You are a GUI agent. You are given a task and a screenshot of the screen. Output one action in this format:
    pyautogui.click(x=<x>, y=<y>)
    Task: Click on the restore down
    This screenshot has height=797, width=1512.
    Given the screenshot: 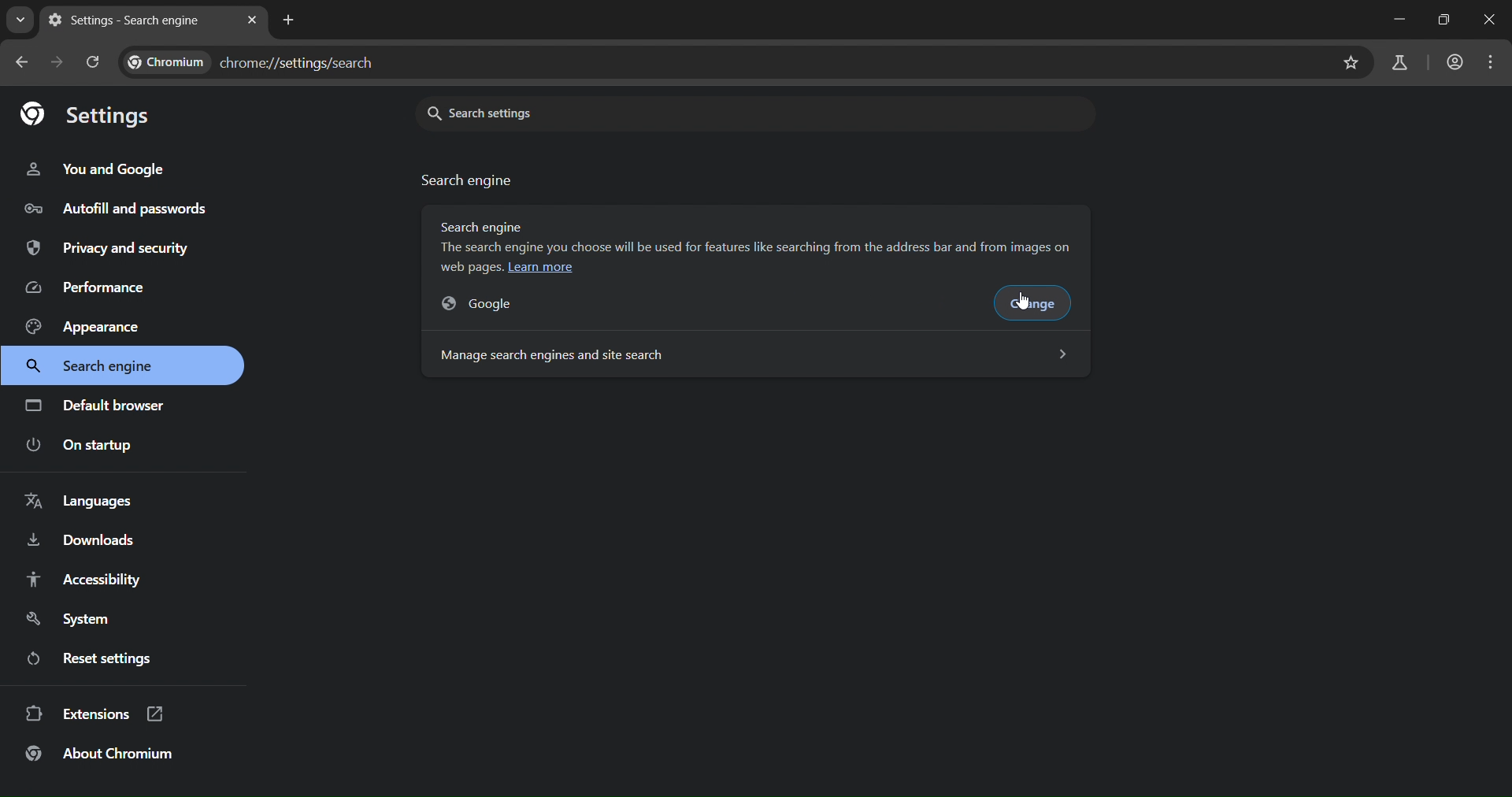 What is the action you would take?
    pyautogui.click(x=1444, y=21)
    